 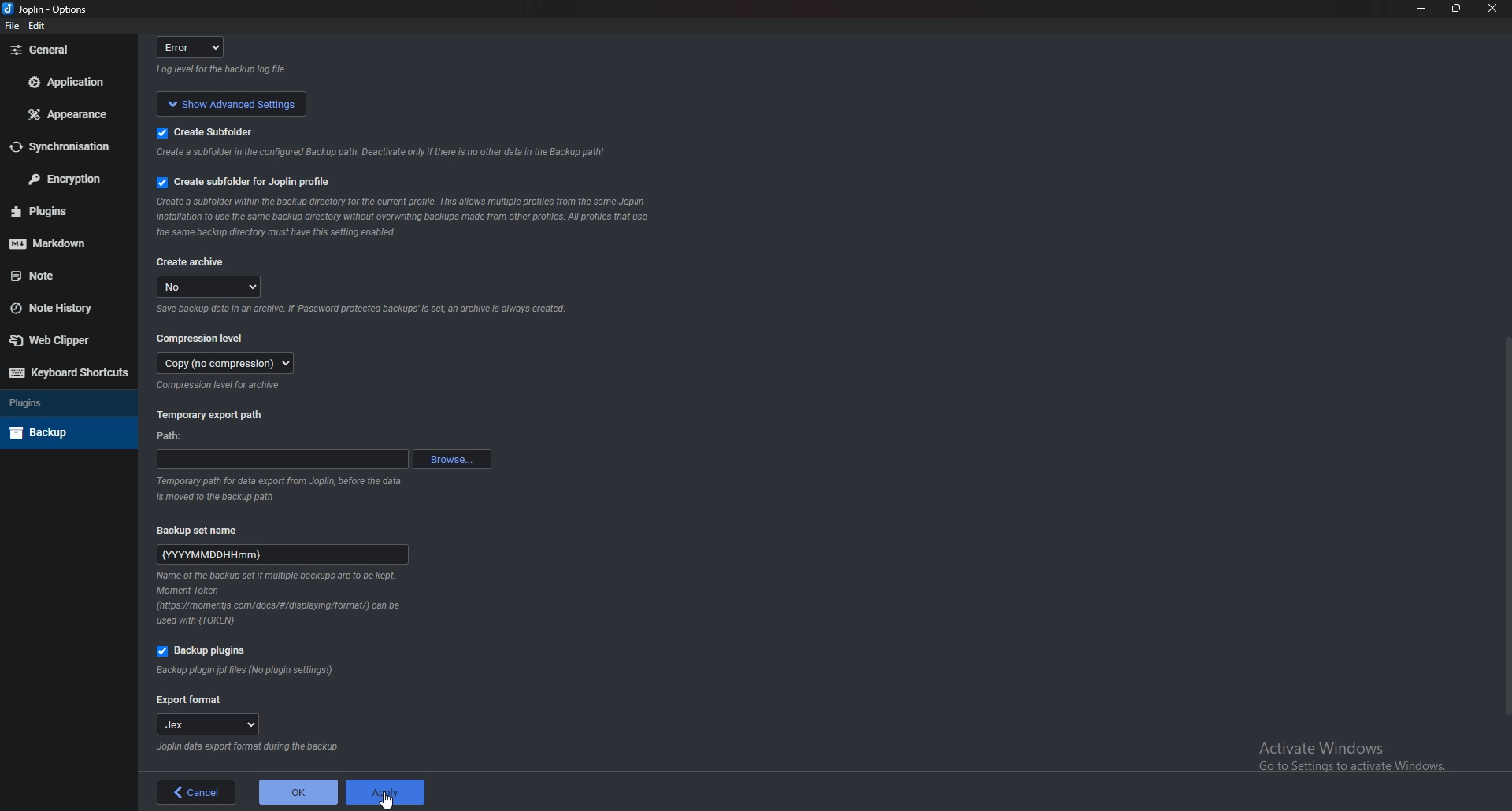 I want to click on Back up, so click(x=64, y=432).